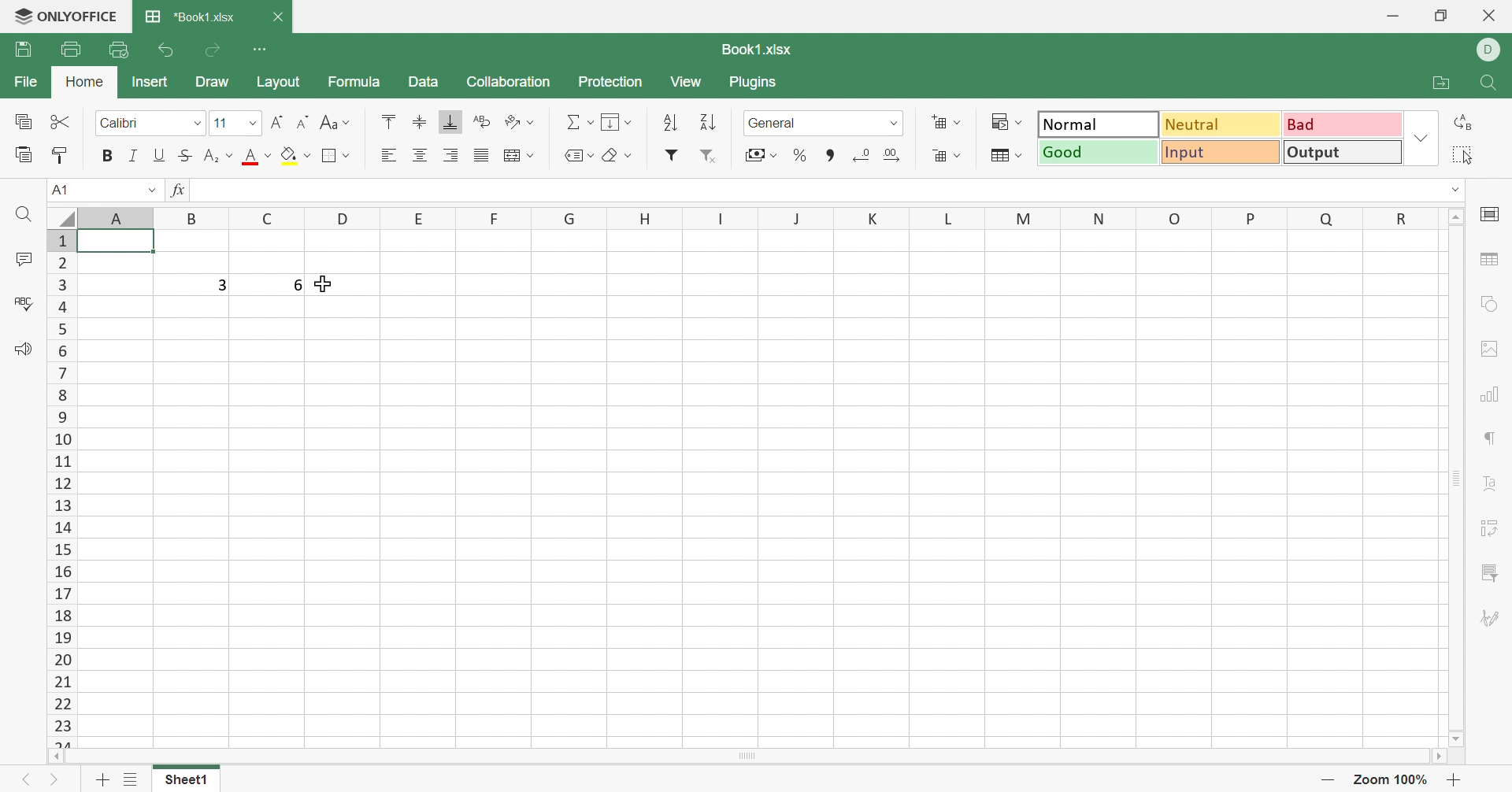  Describe the element at coordinates (1492, 527) in the screenshot. I see `Pivot table settings` at that location.